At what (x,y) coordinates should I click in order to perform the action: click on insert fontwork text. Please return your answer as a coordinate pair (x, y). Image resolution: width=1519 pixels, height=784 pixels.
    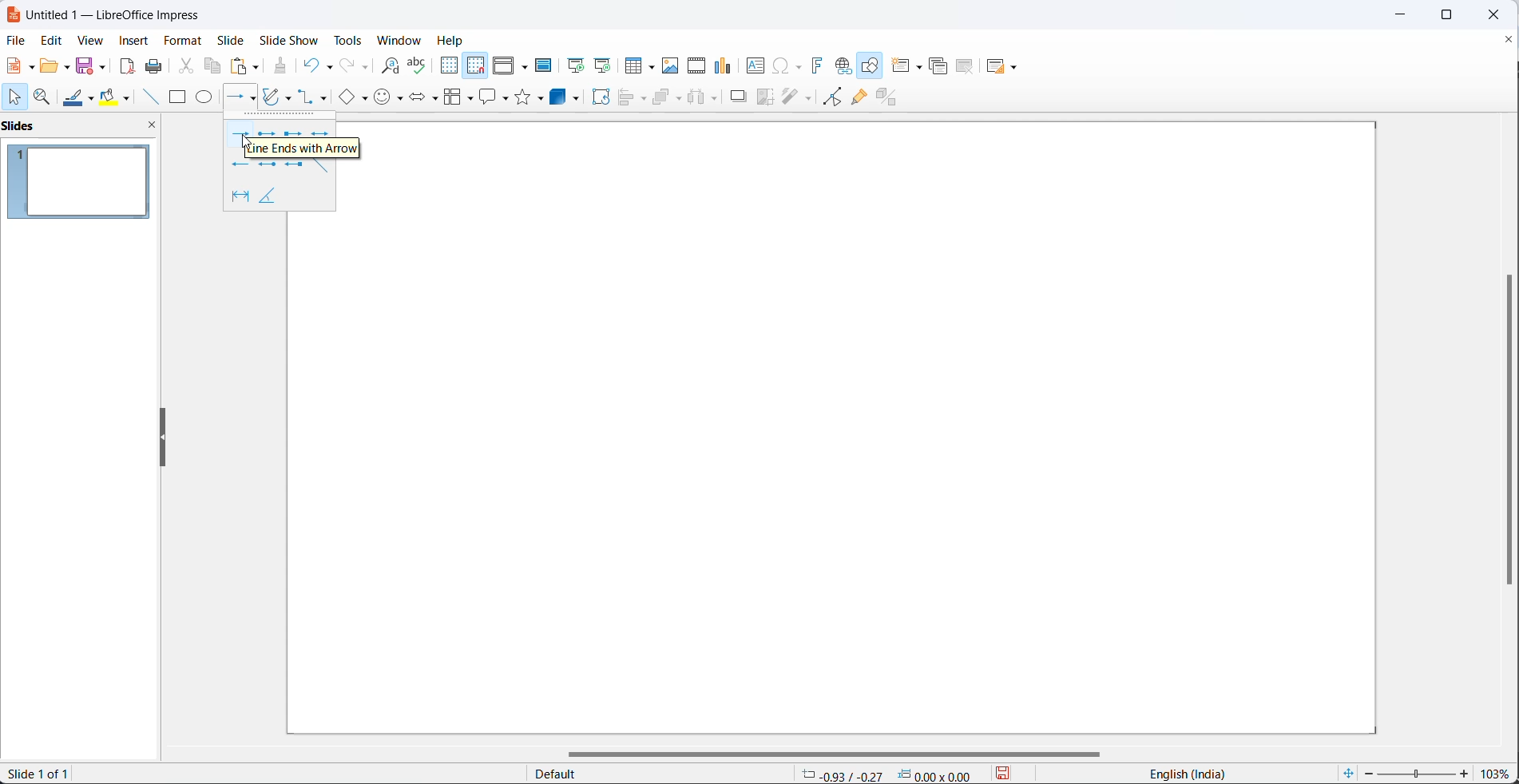
    Looking at the image, I should click on (816, 65).